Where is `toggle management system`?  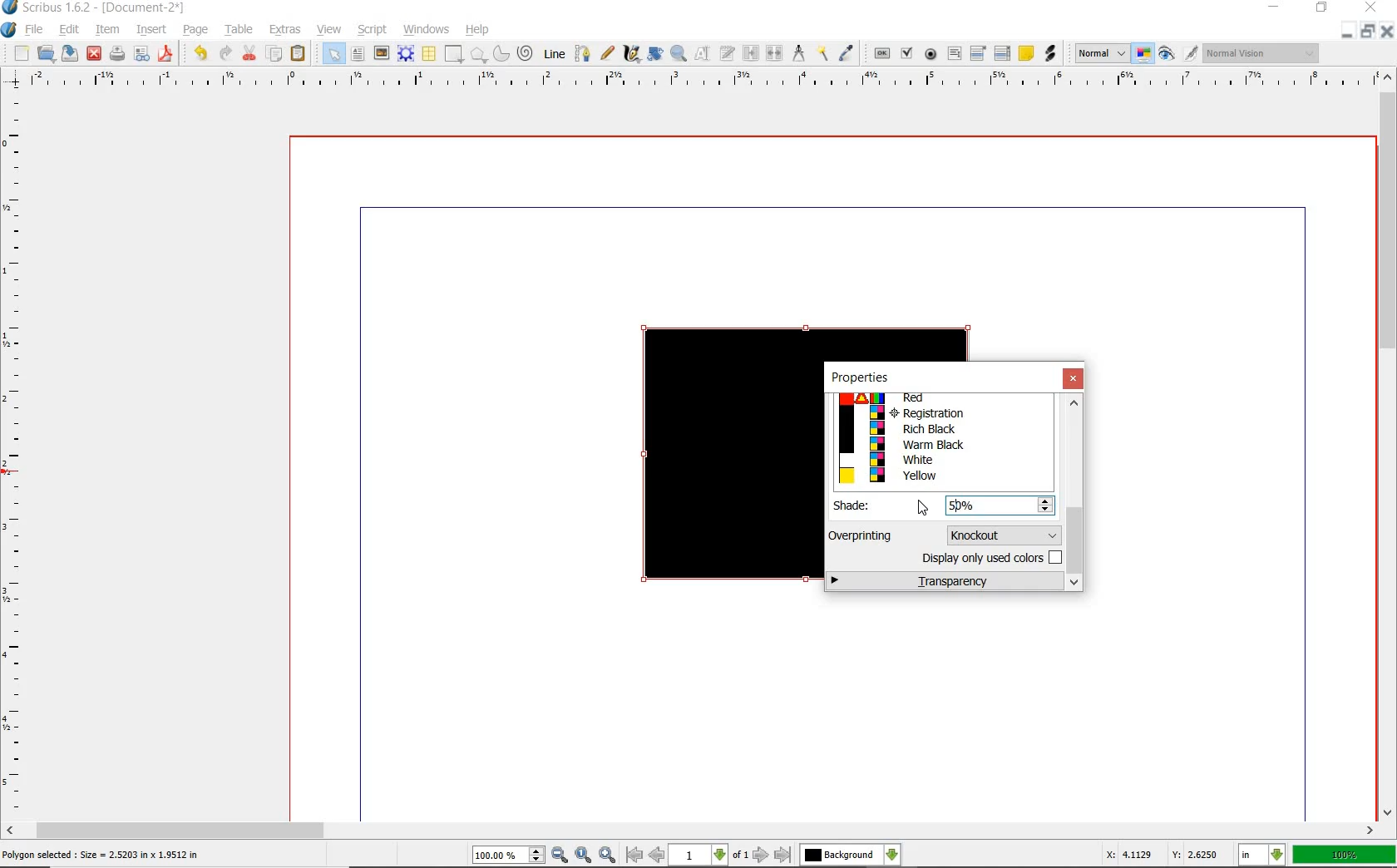 toggle management system is located at coordinates (1143, 55).